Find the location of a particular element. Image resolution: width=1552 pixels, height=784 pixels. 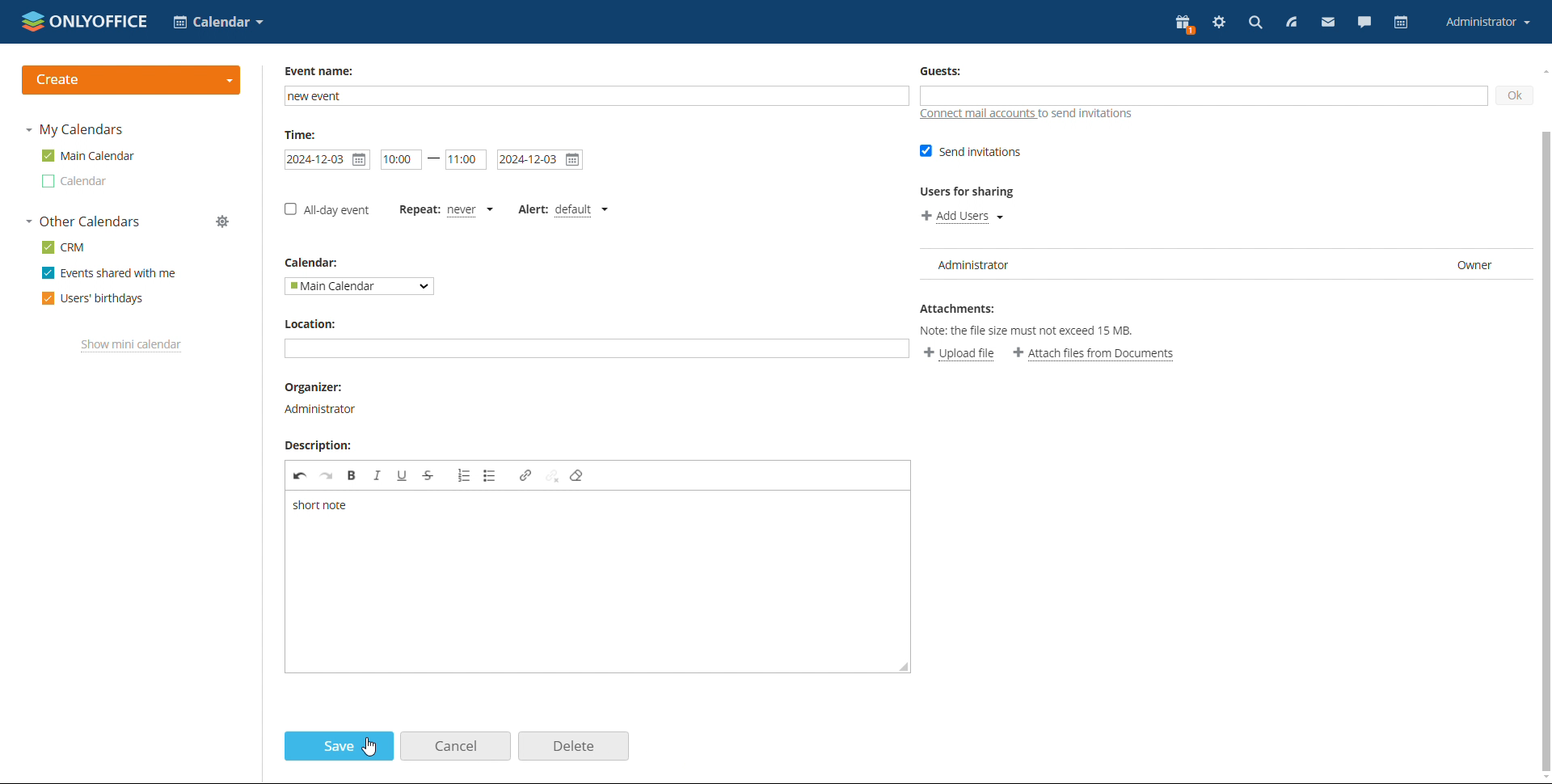

set repetition is located at coordinates (444, 209).